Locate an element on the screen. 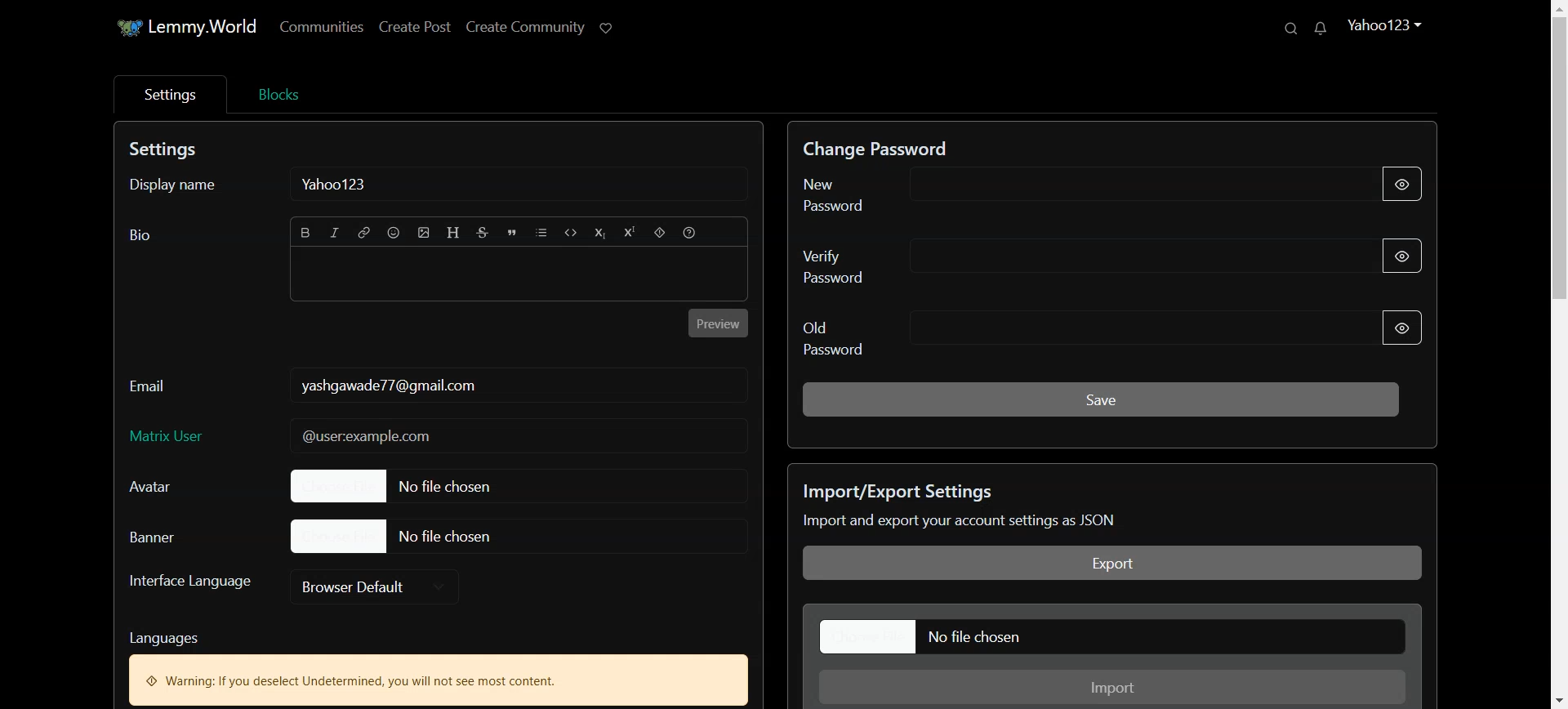  Baner is located at coordinates (171, 536).